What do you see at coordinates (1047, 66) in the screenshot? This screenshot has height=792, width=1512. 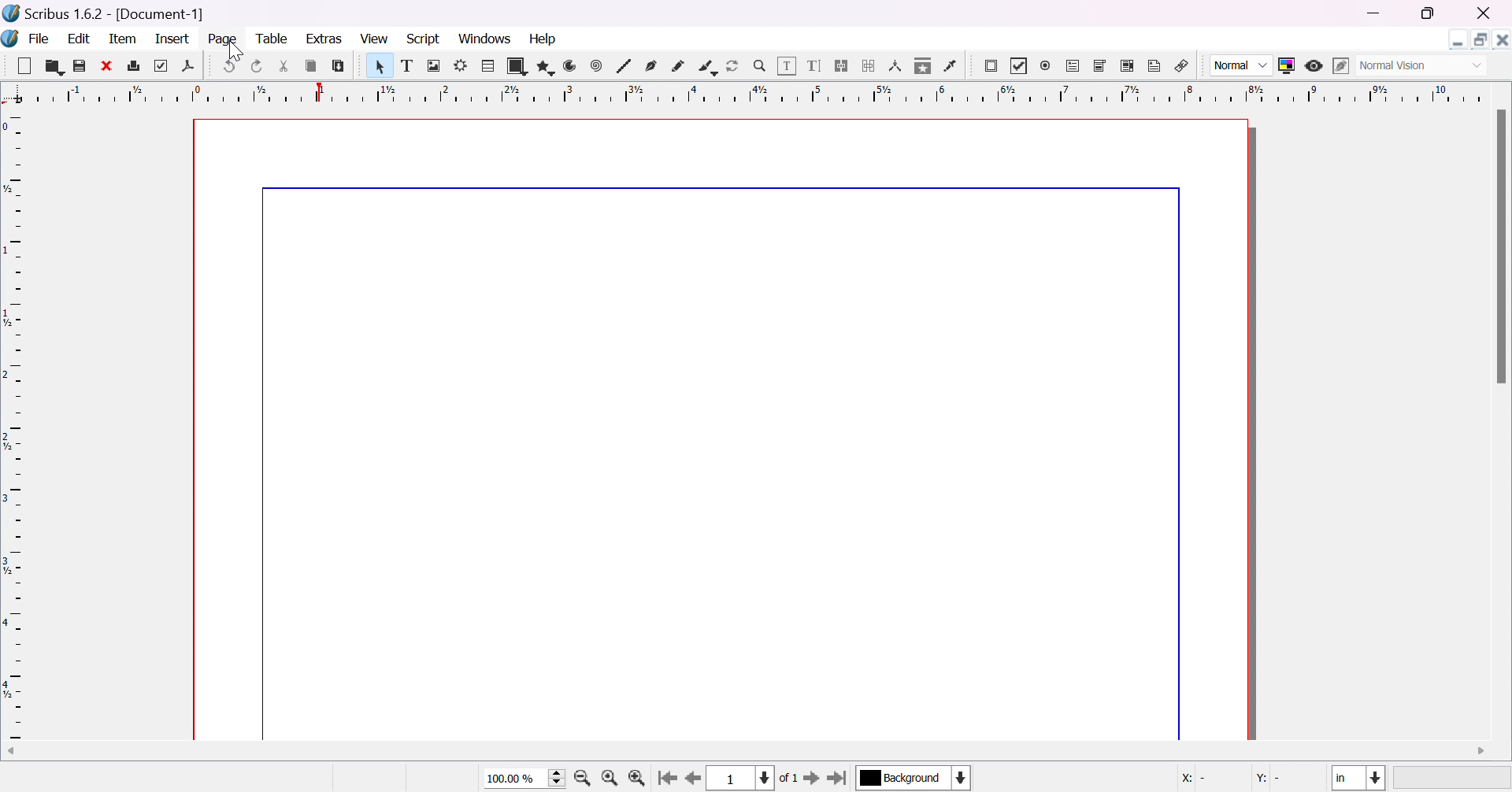 I see `PDF radio button` at bounding box center [1047, 66].